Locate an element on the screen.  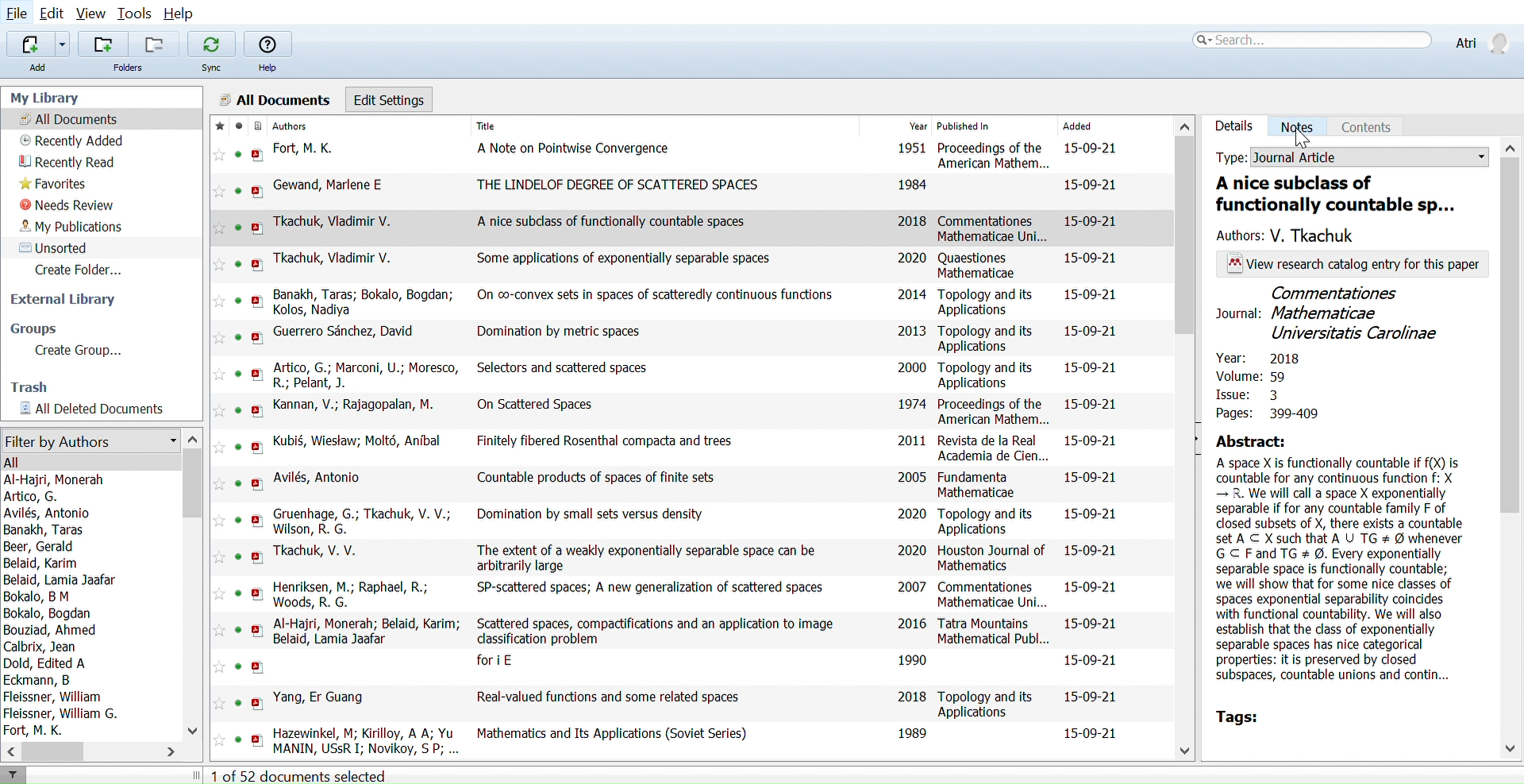
15-09-21 is located at coordinates (1094, 221).